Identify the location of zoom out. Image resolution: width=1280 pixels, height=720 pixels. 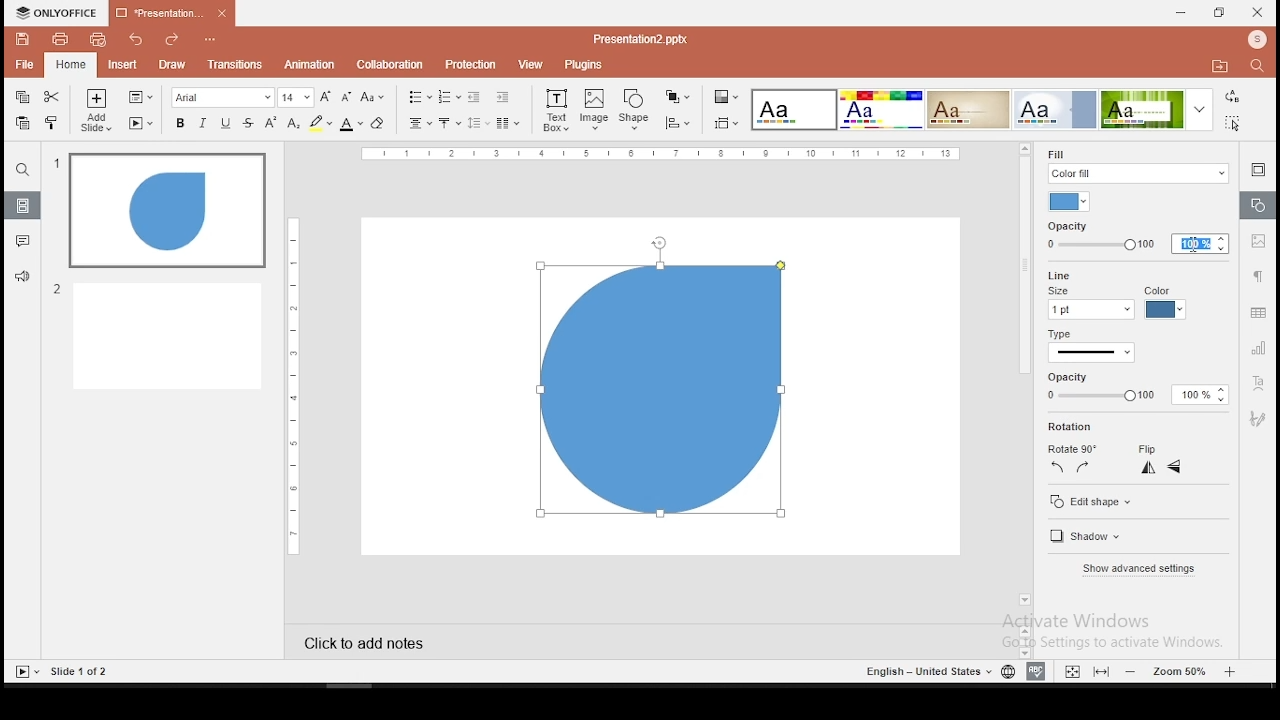
(1232, 671).